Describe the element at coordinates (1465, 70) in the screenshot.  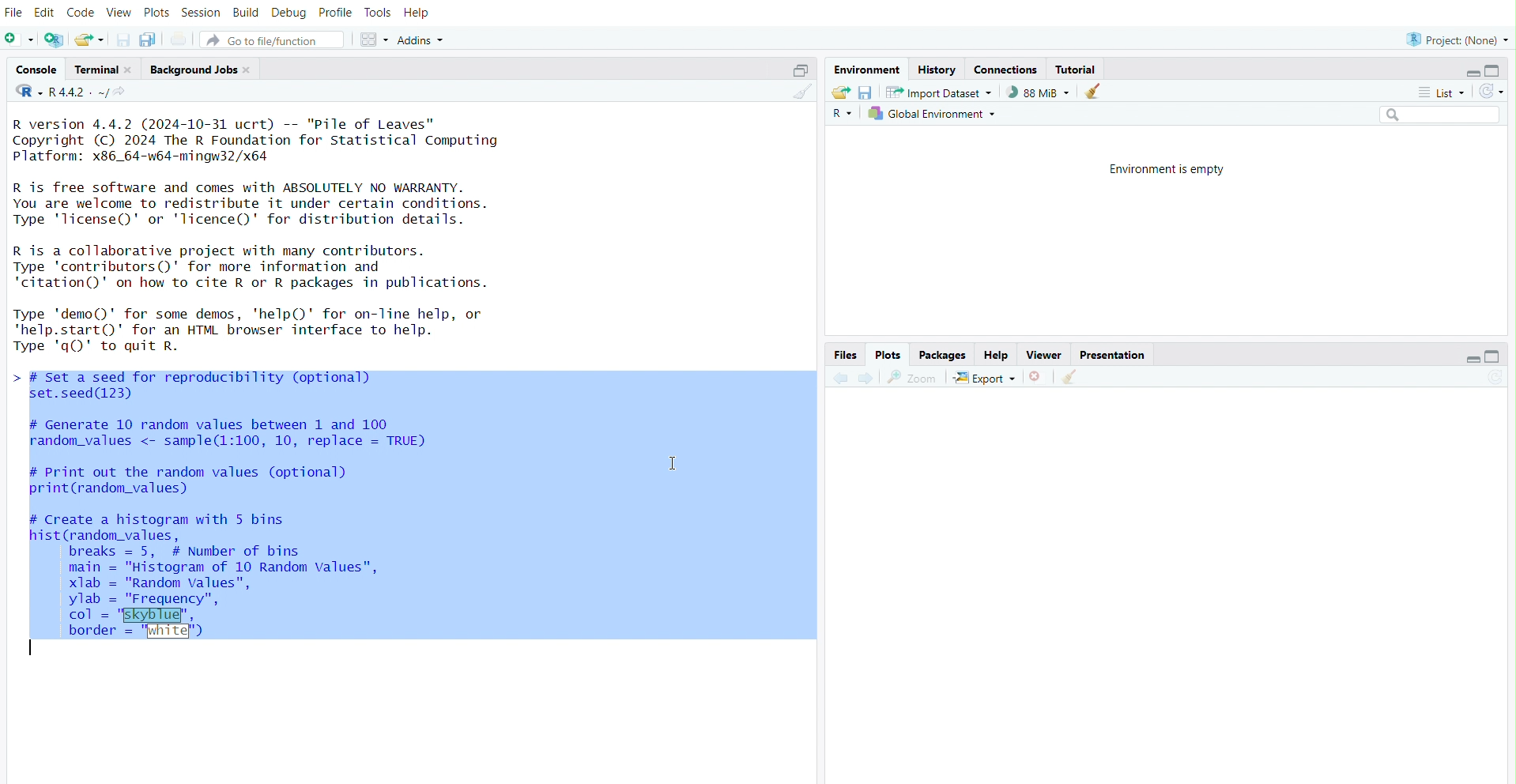
I see `minimize` at that location.